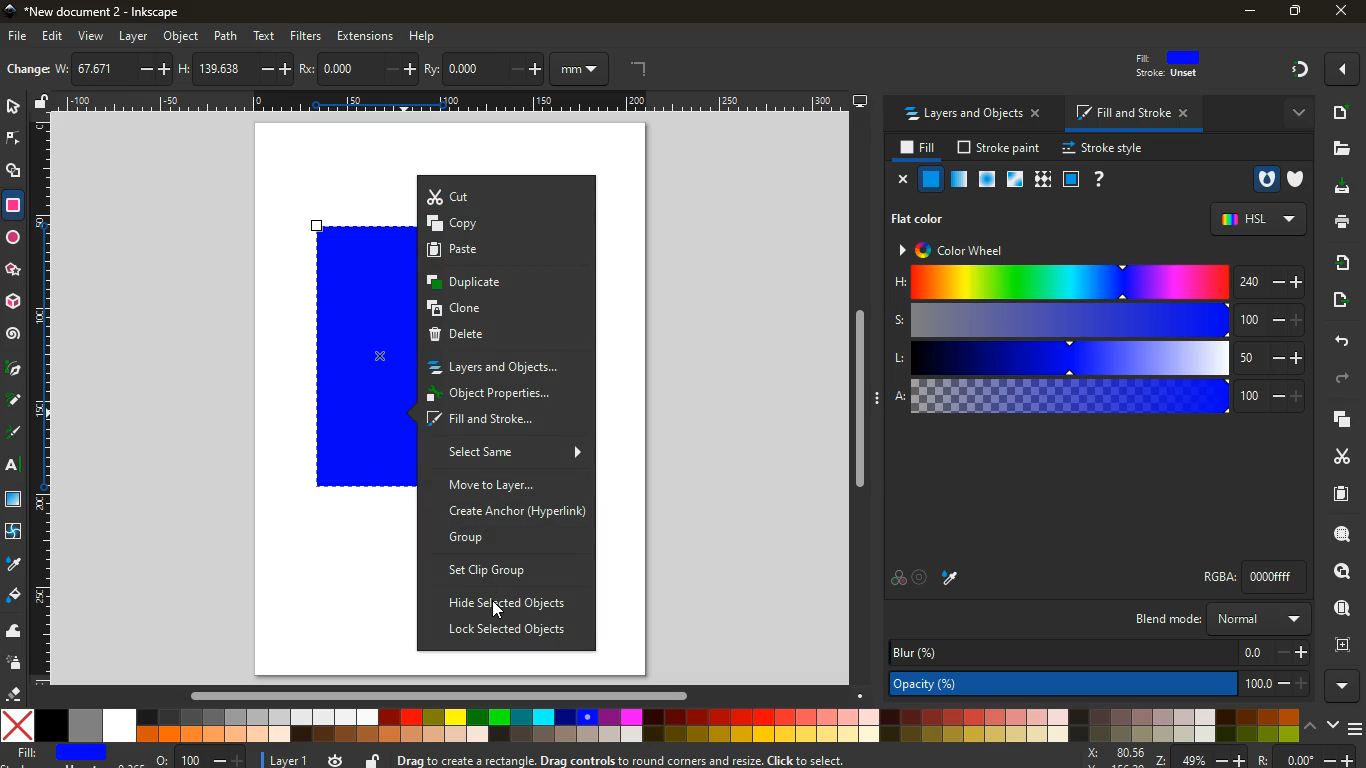 Image resolution: width=1366 pixels, height=768 pixels. I want to click on , so click(453, 101).